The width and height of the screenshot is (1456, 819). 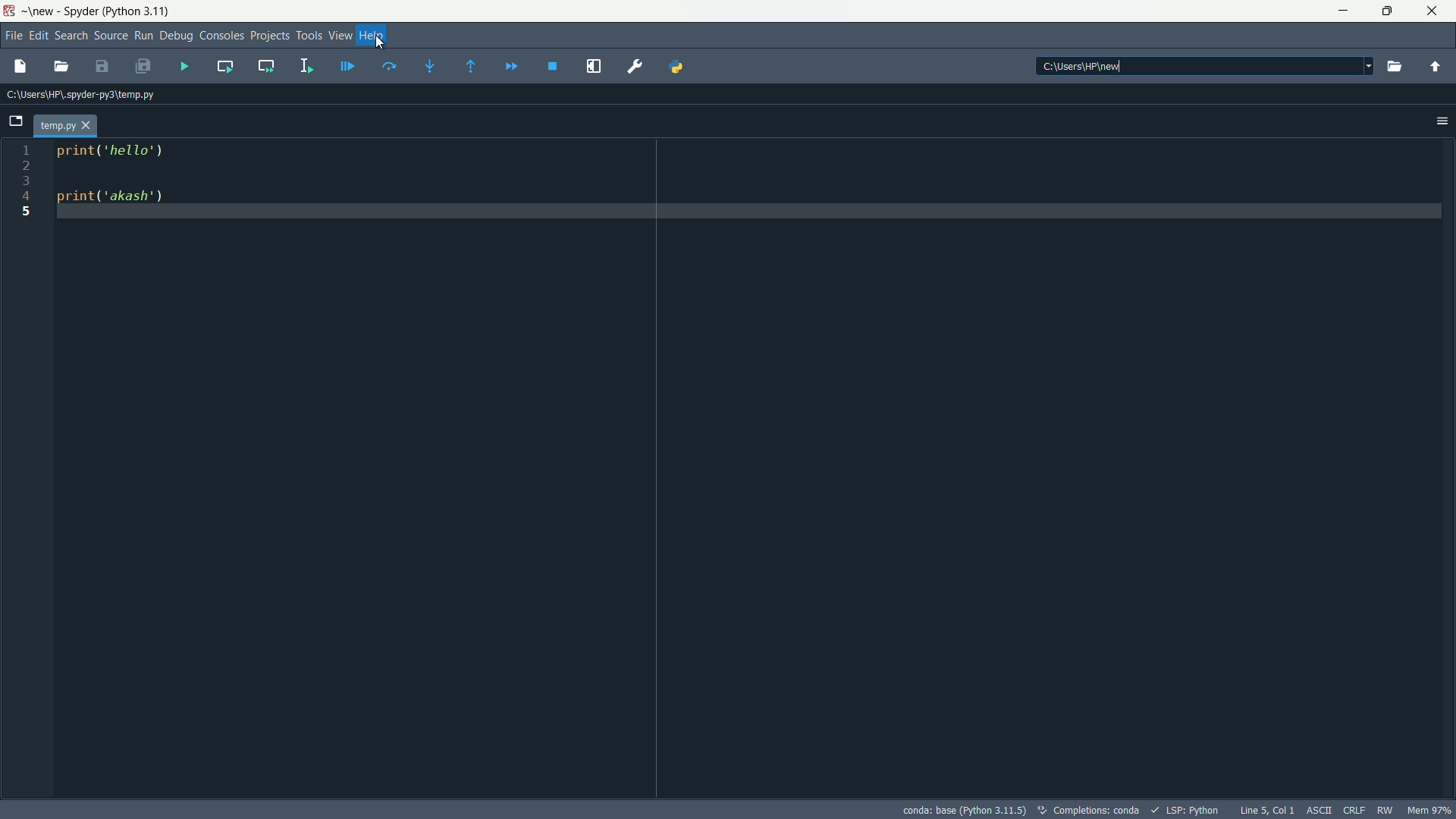 I want to click on PYTHONPATH manager, so click(x=679, y=66).